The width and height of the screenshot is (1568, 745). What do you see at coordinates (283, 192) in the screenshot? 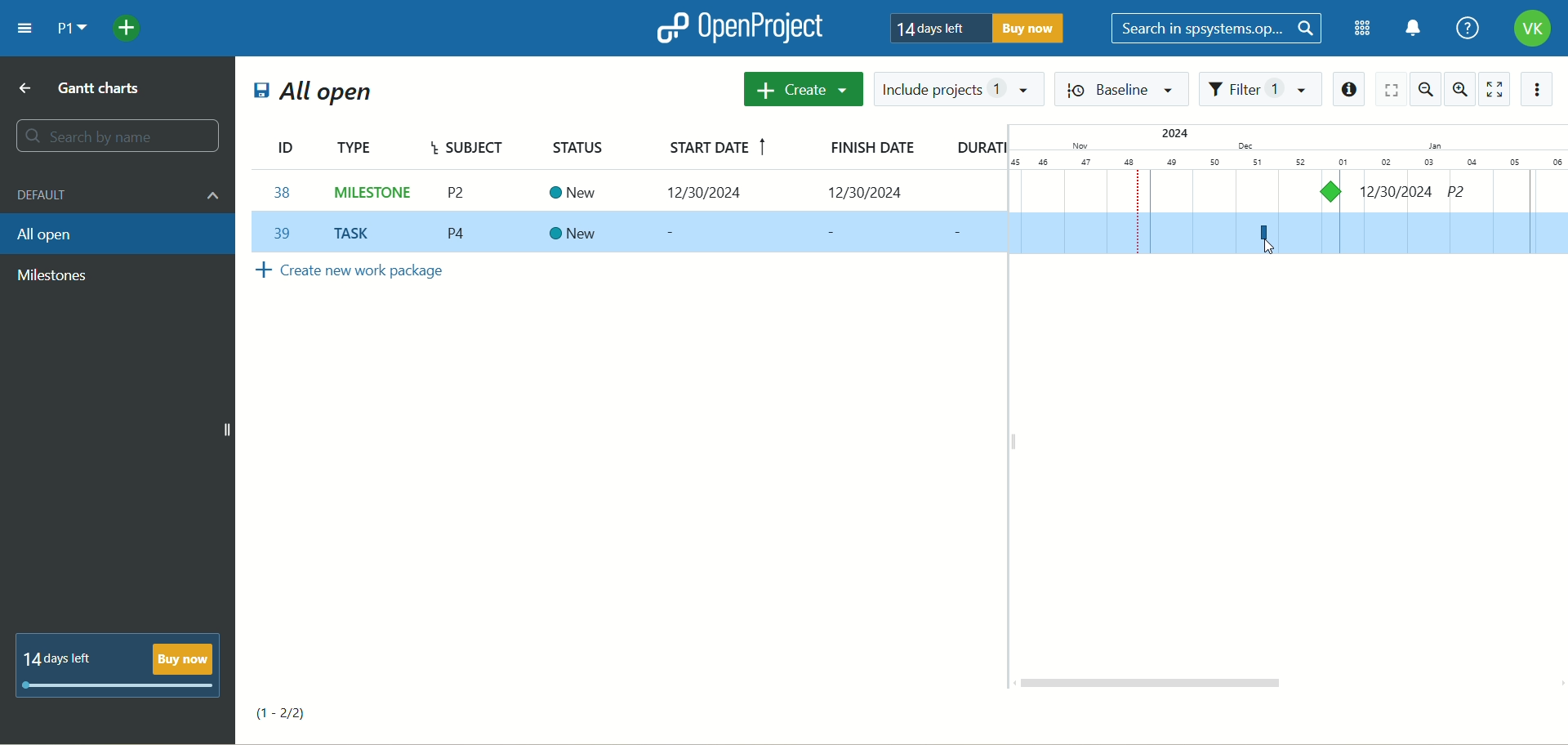
I see `38` at bounding box center [283, 192].